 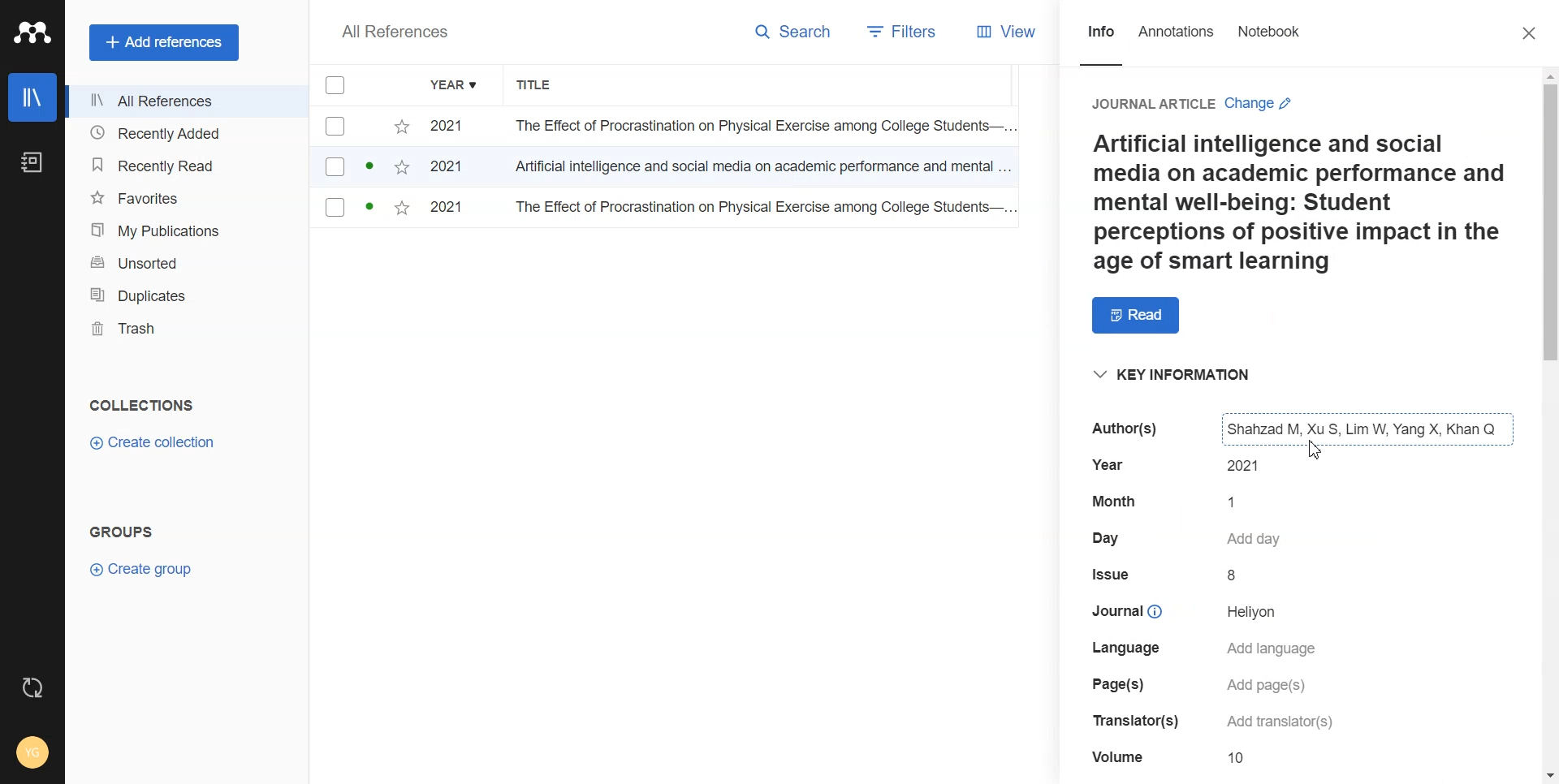 I want to click on 2021, so click(x=452, y=127).